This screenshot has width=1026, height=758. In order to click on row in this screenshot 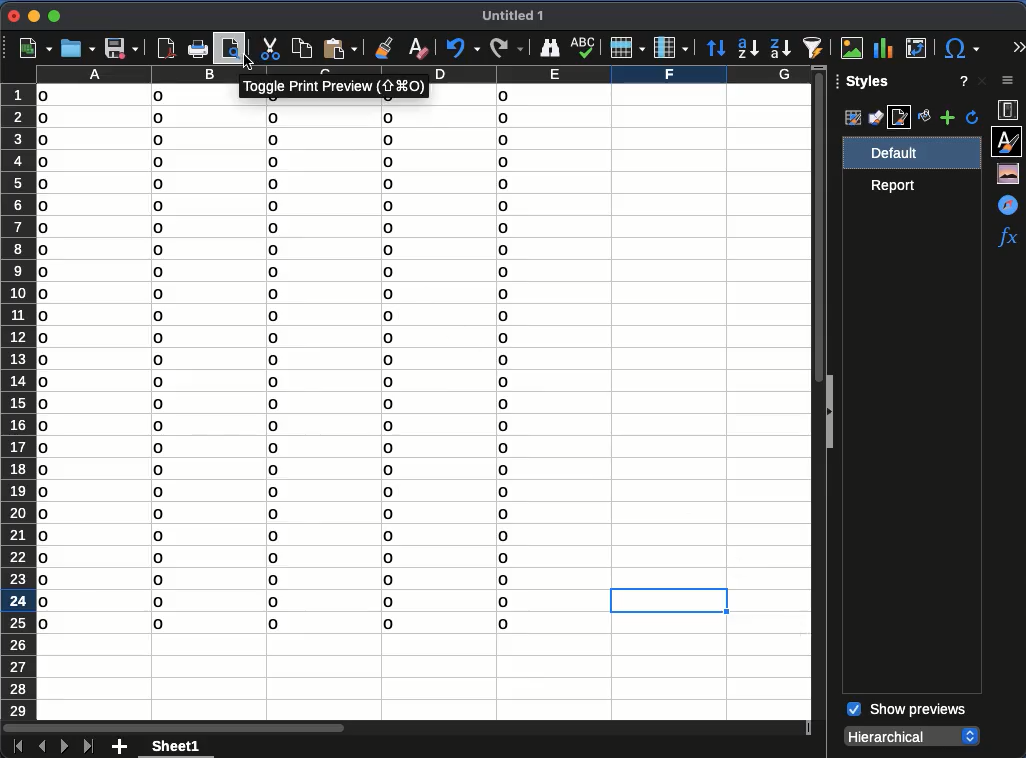, I will do `click(628, 48)`.